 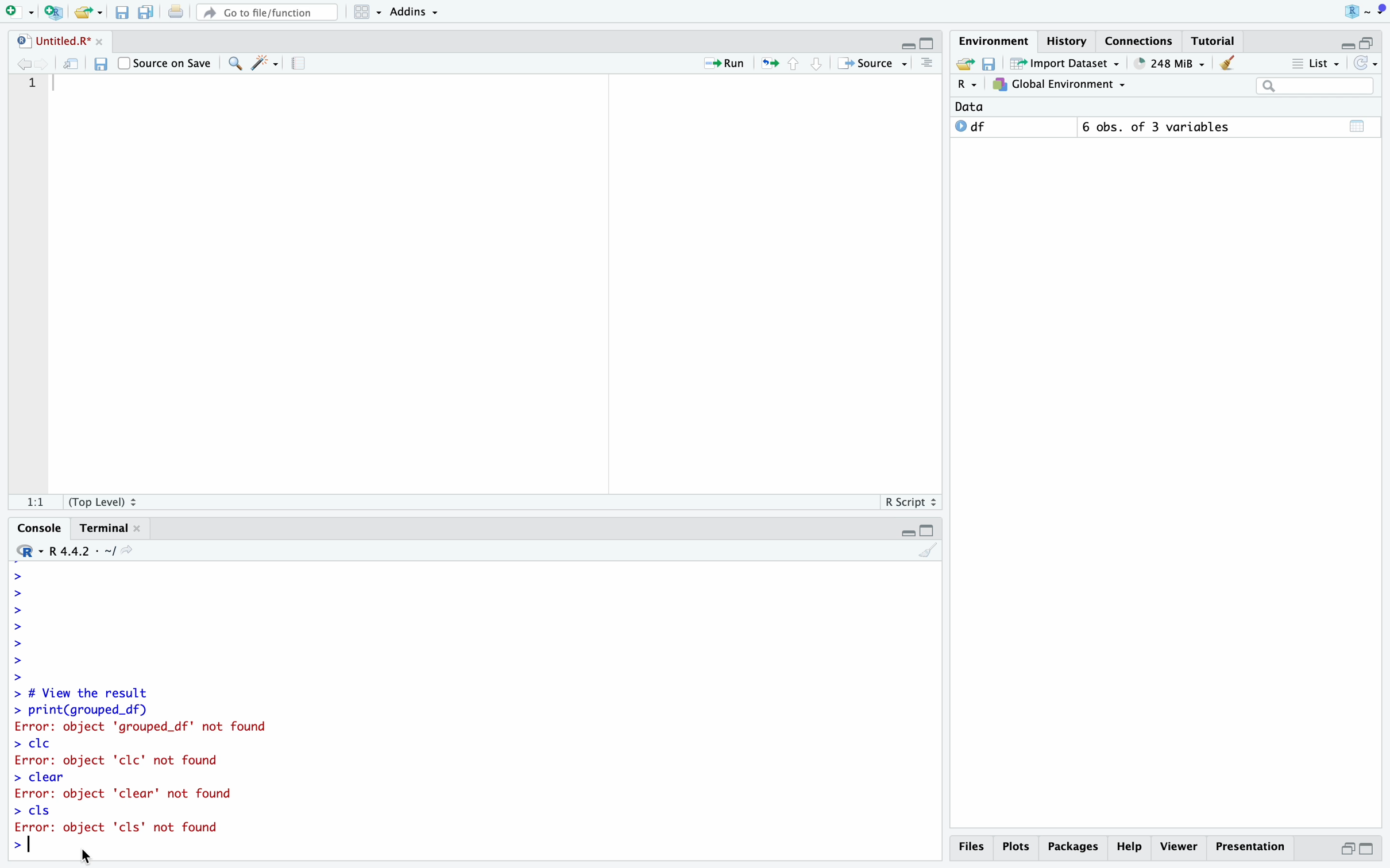 What do you see at coordinates (1364, 12) in the screenshot?
I see `Project` at bounding box center [1364, 12].